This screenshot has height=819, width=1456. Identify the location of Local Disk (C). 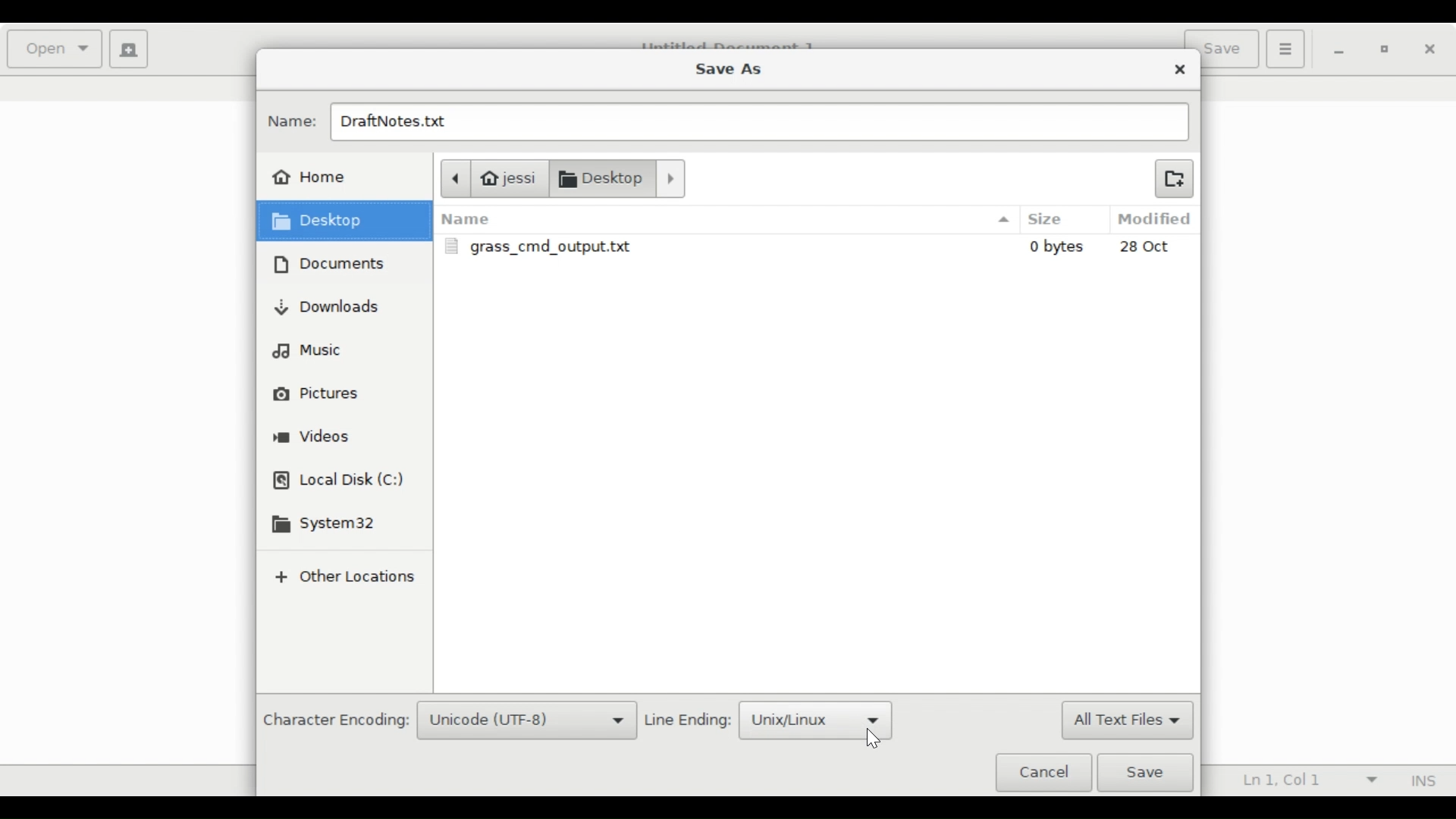
(340, 482).